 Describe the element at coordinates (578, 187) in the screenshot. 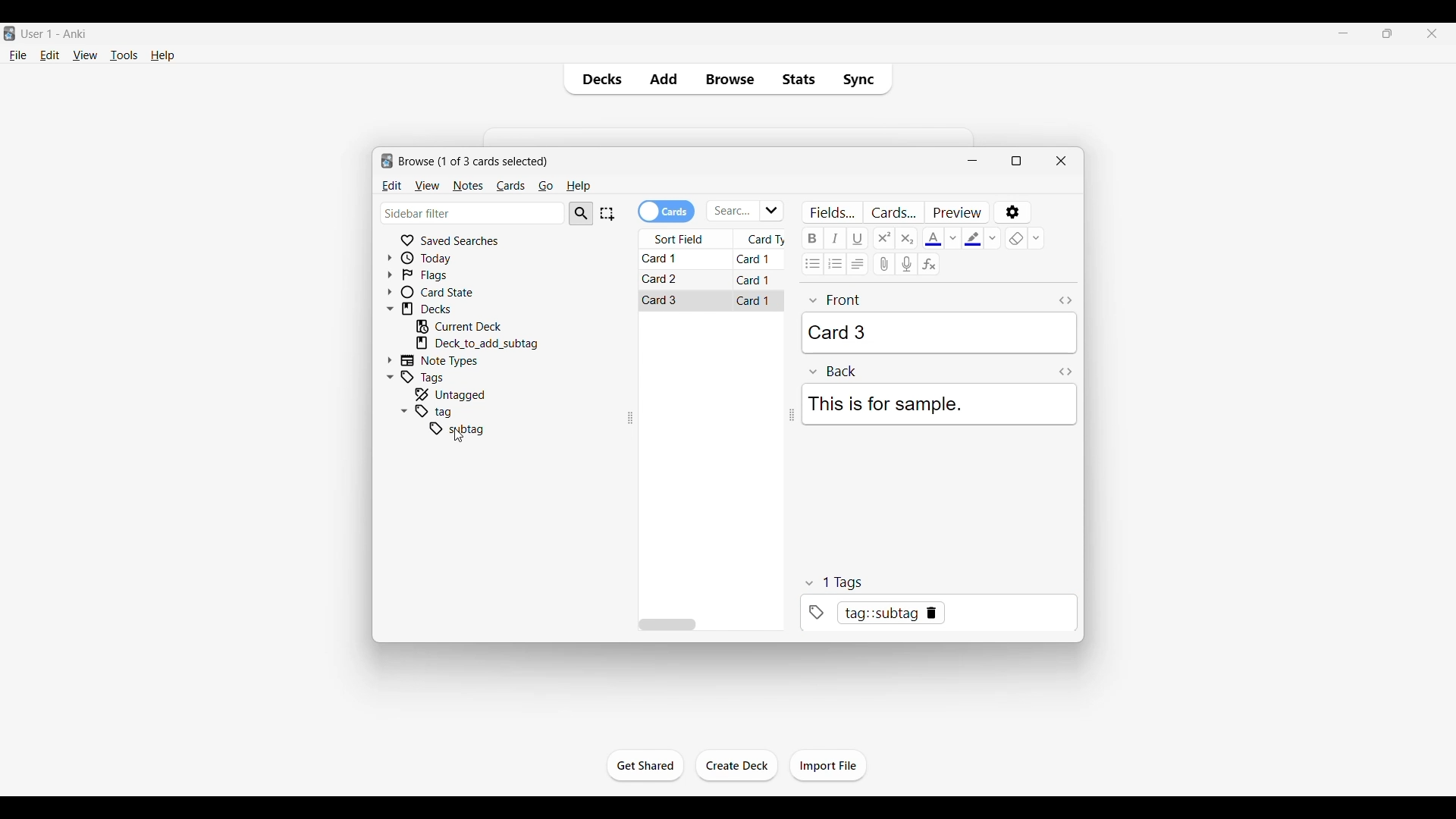

I see `Help menu` at that location.